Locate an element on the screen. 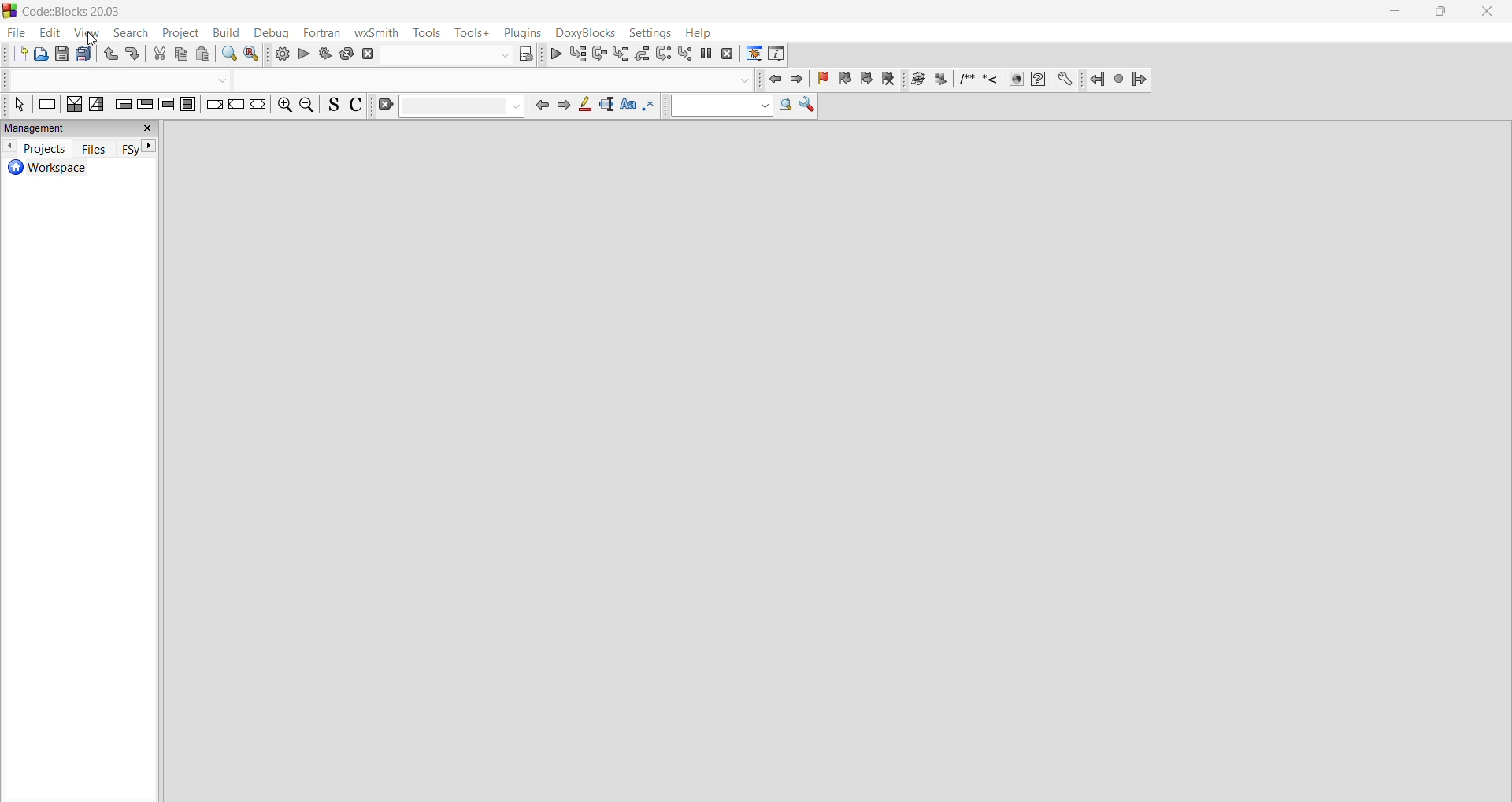 This screenshot has height=802, width=1512. build and run is located at coordinates (328, 55).